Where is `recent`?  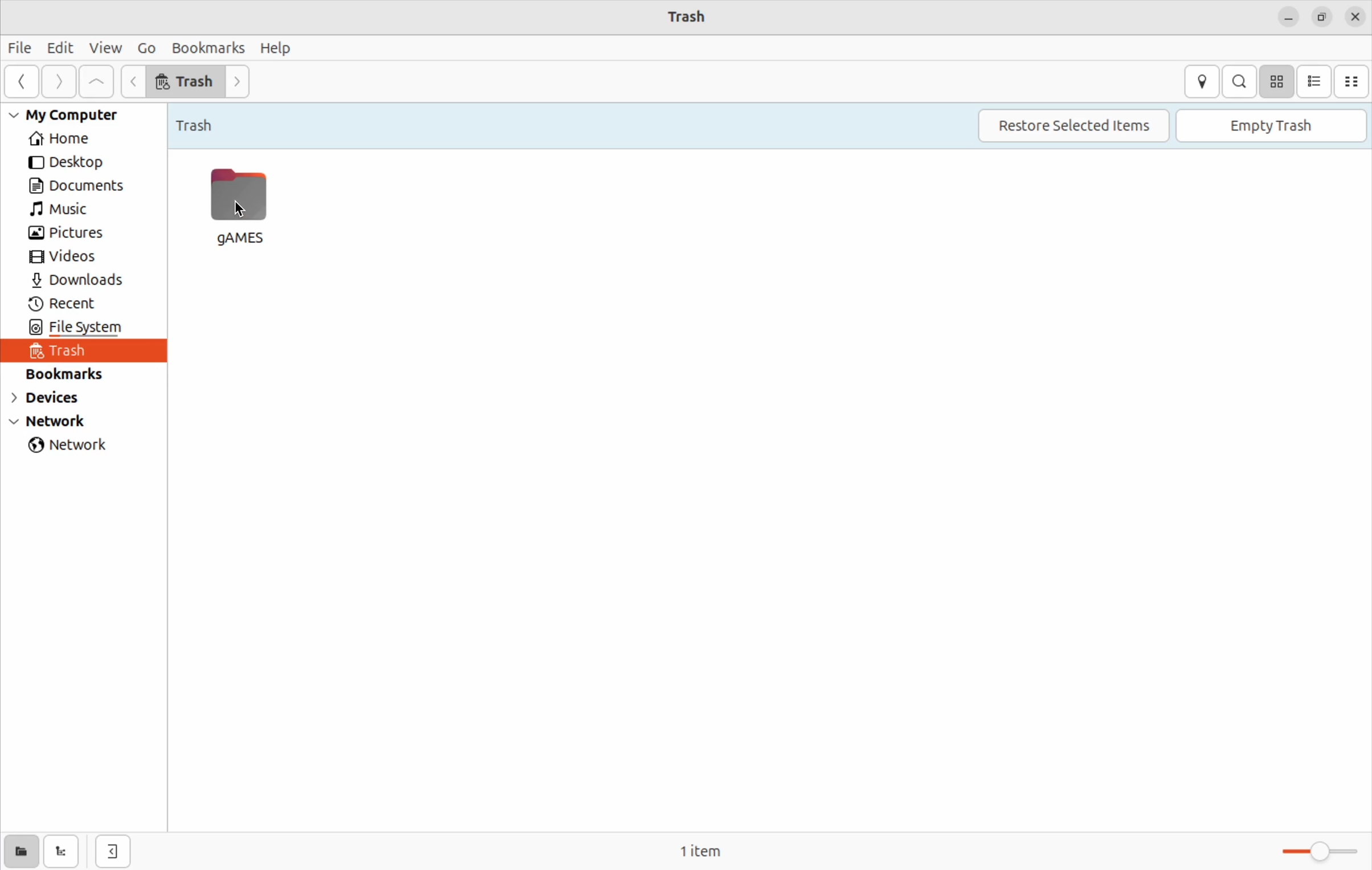
recent is located at coordinates (70, 304).